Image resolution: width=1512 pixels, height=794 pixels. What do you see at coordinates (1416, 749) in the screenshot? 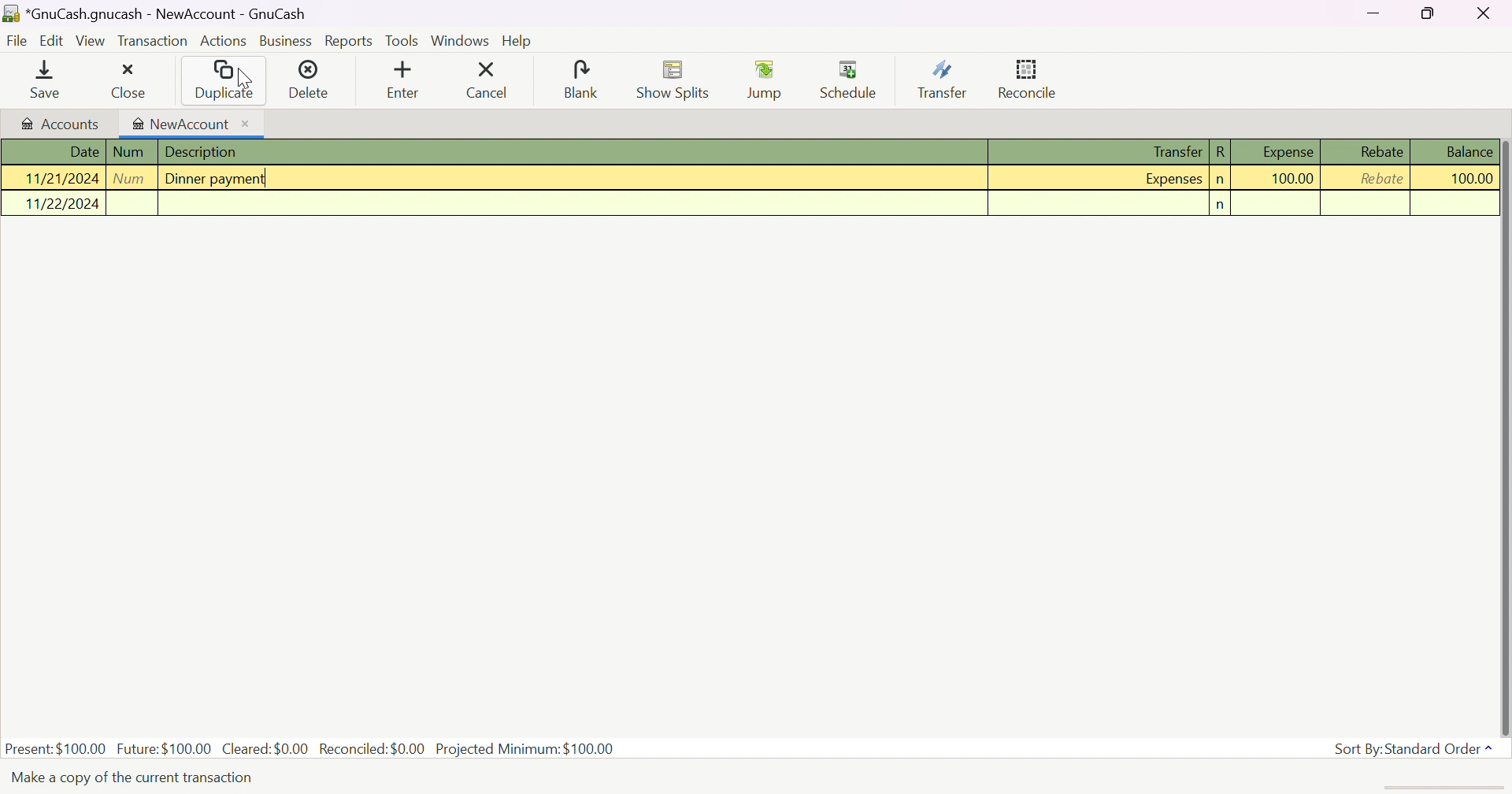
I see `Sort By: Standard Order` at bounding box center [1416, 749].